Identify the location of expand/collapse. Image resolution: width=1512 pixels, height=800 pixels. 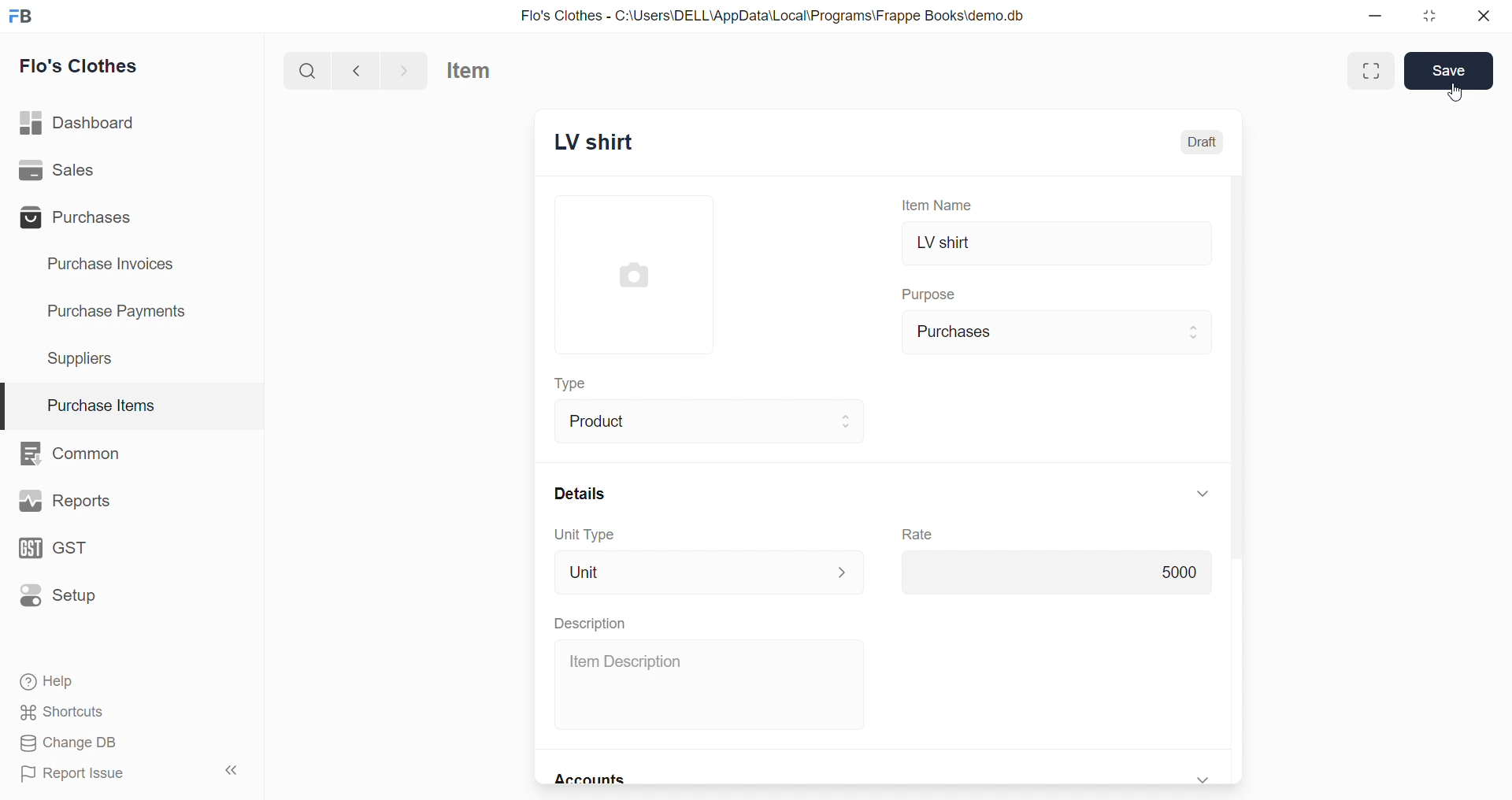
(1205, 777).